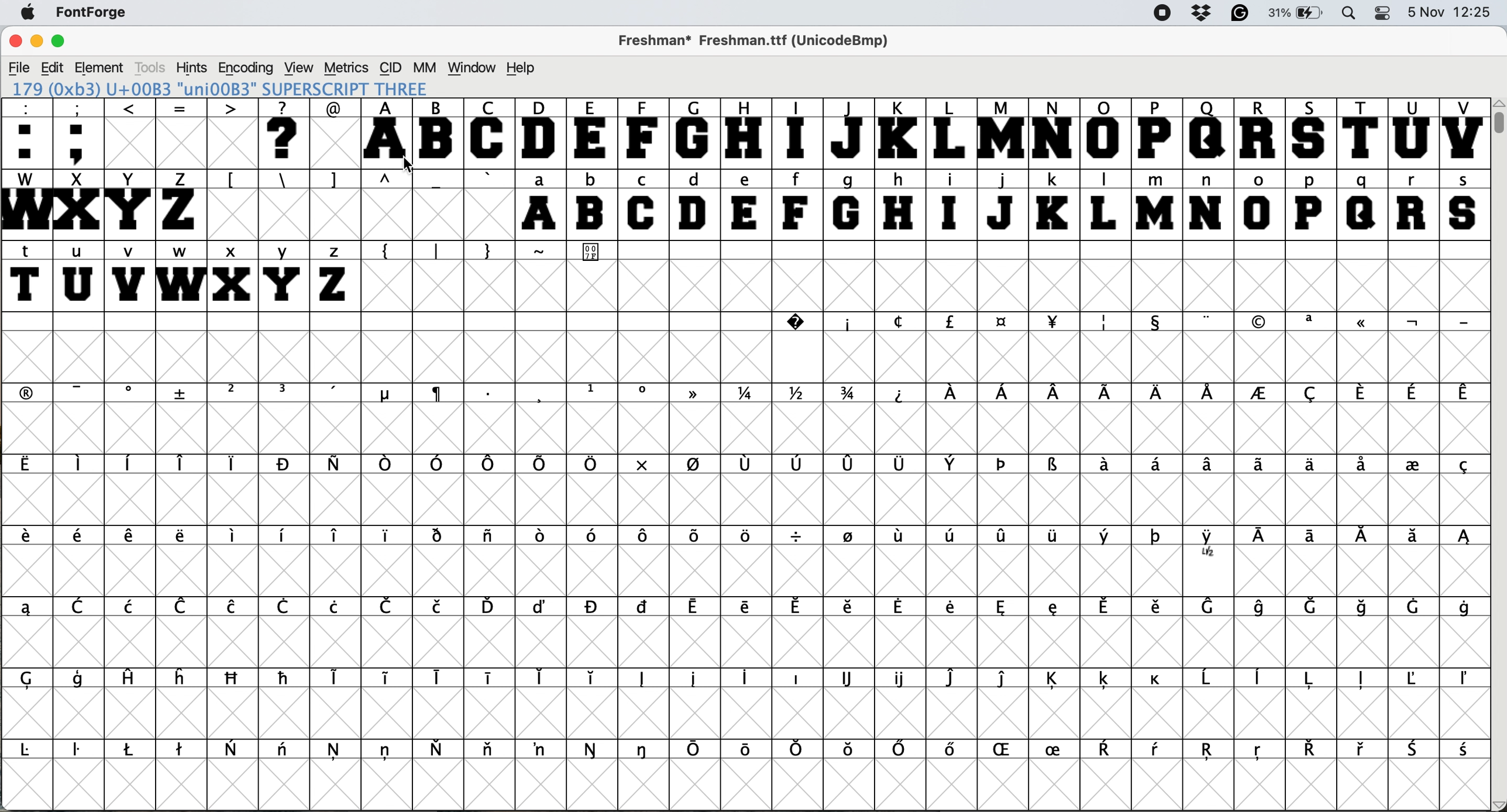 Image resolution: width=1507 pixels, height=812 pixels. Describe the element at coordinates (952, 205) in the screenshot. I see `i` at that location.